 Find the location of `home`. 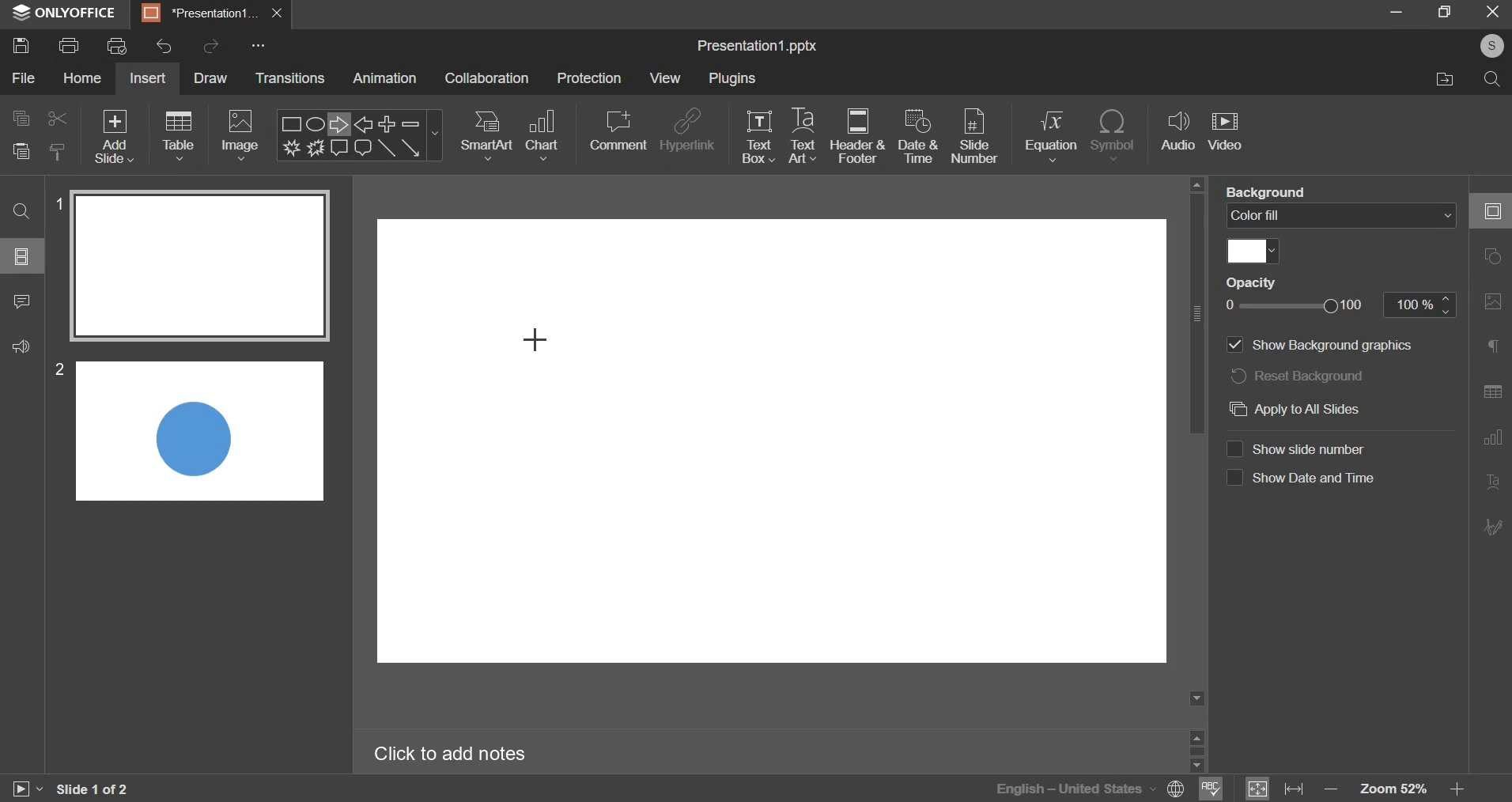

home is located at coordinates (85, 78).